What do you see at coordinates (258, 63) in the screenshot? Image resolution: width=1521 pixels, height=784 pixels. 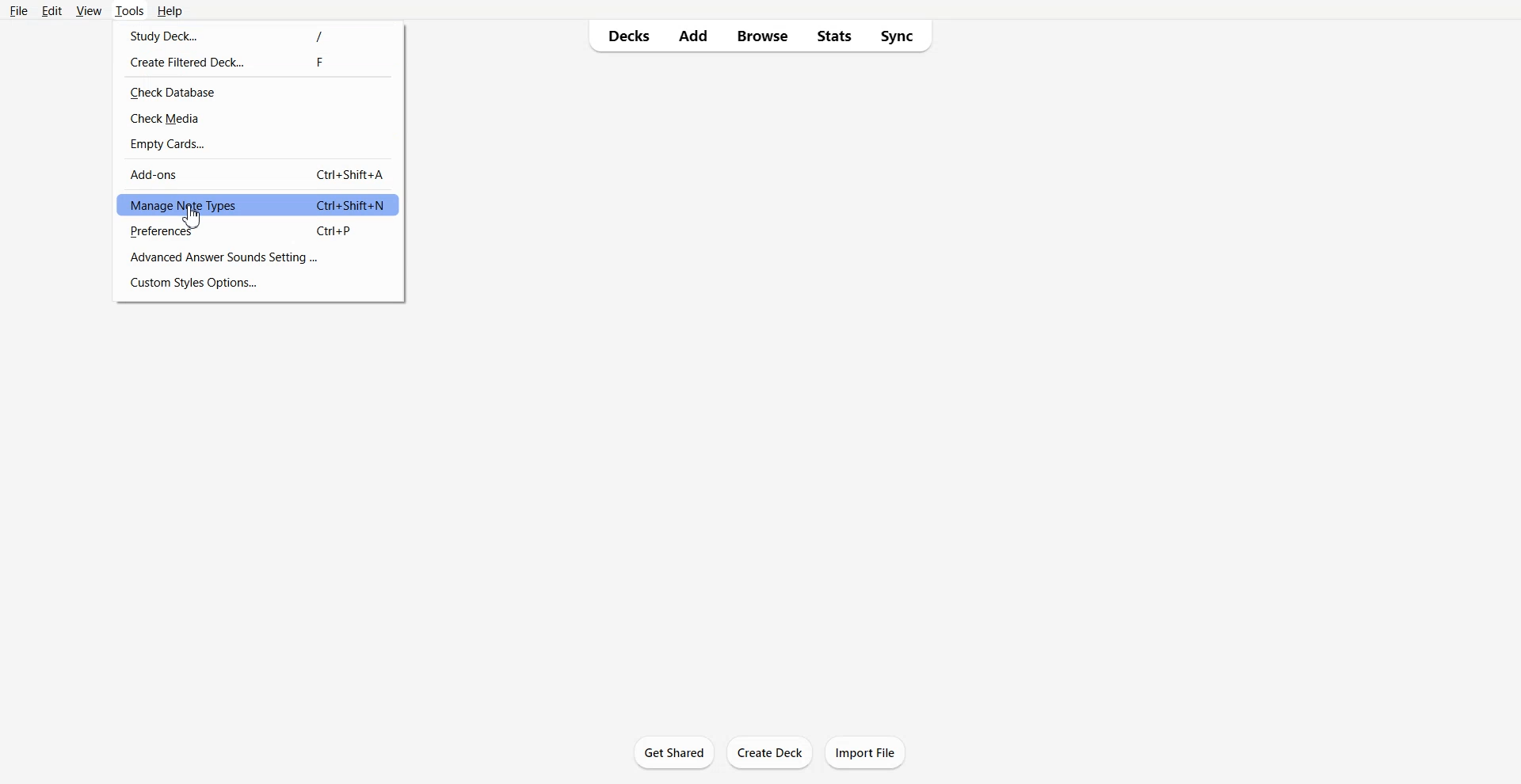 I see `Create Filtered Deck` at bounding box center [258, 63].